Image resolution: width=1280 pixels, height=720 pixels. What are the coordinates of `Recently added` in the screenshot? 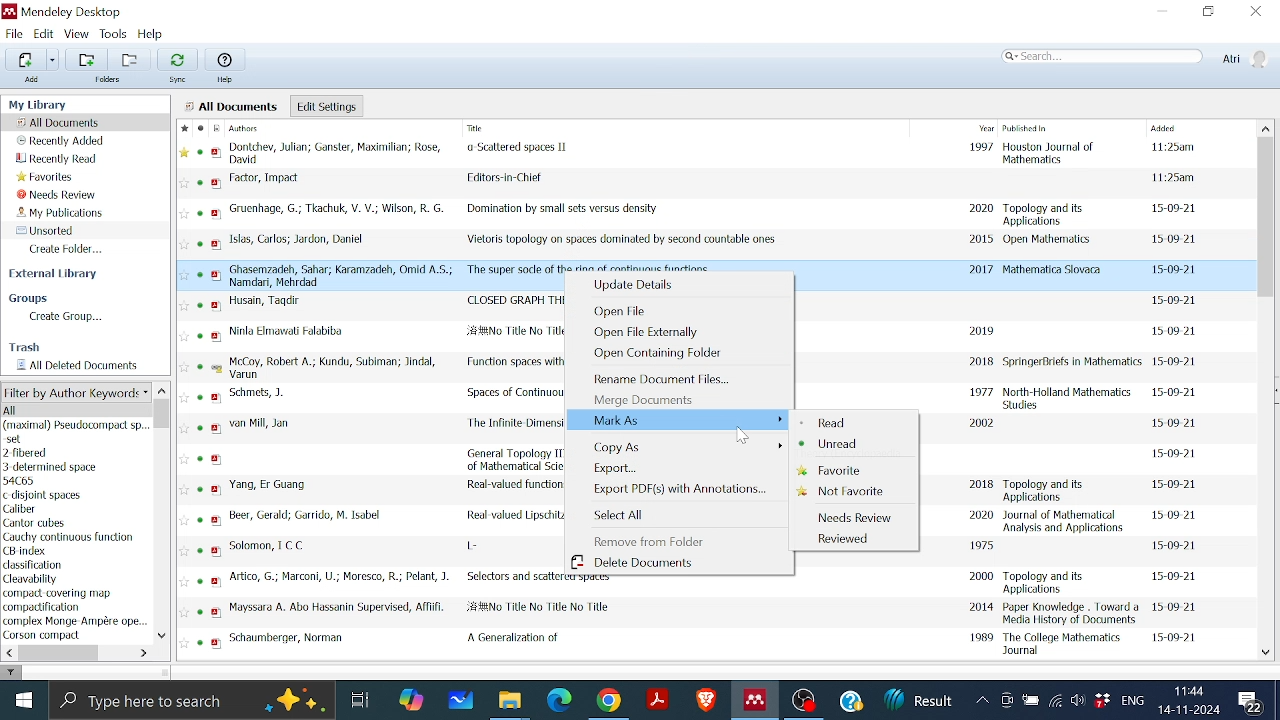 It's located at (63, 141).